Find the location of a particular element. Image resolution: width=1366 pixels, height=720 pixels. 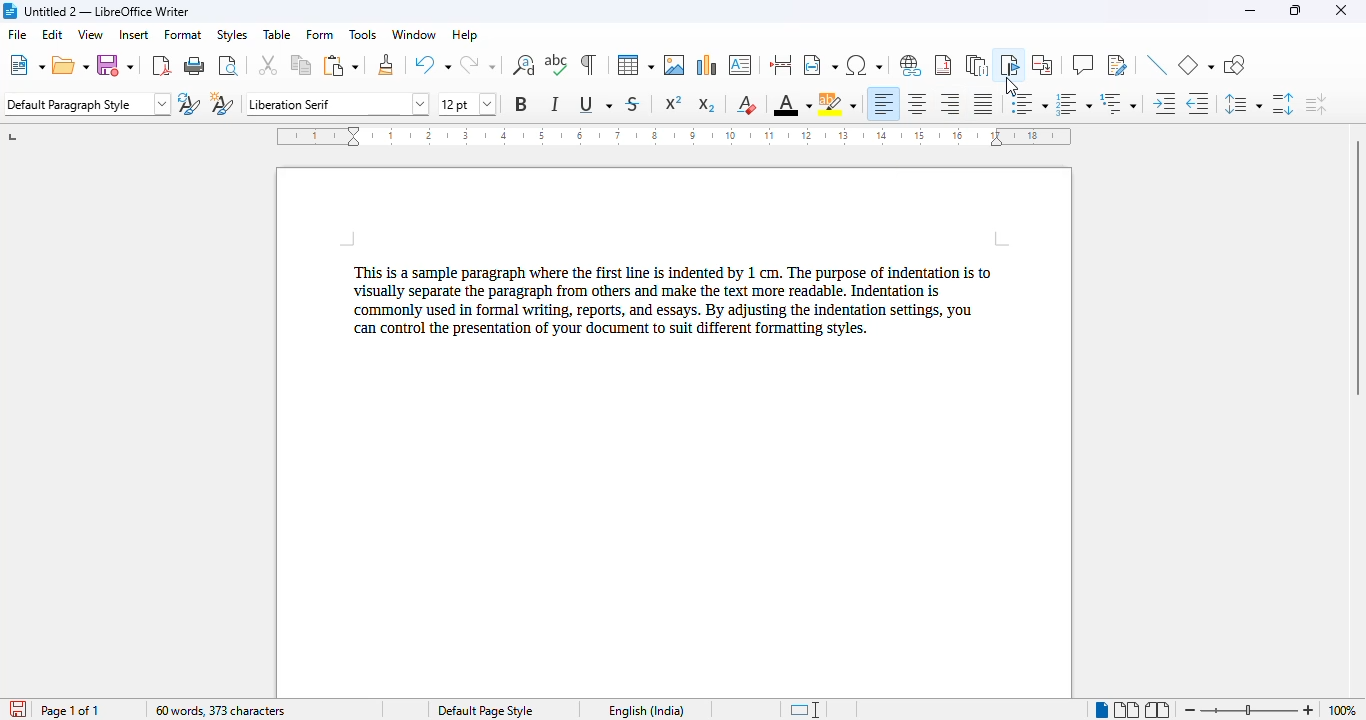

insert text box is located at coordinates (741, 65).